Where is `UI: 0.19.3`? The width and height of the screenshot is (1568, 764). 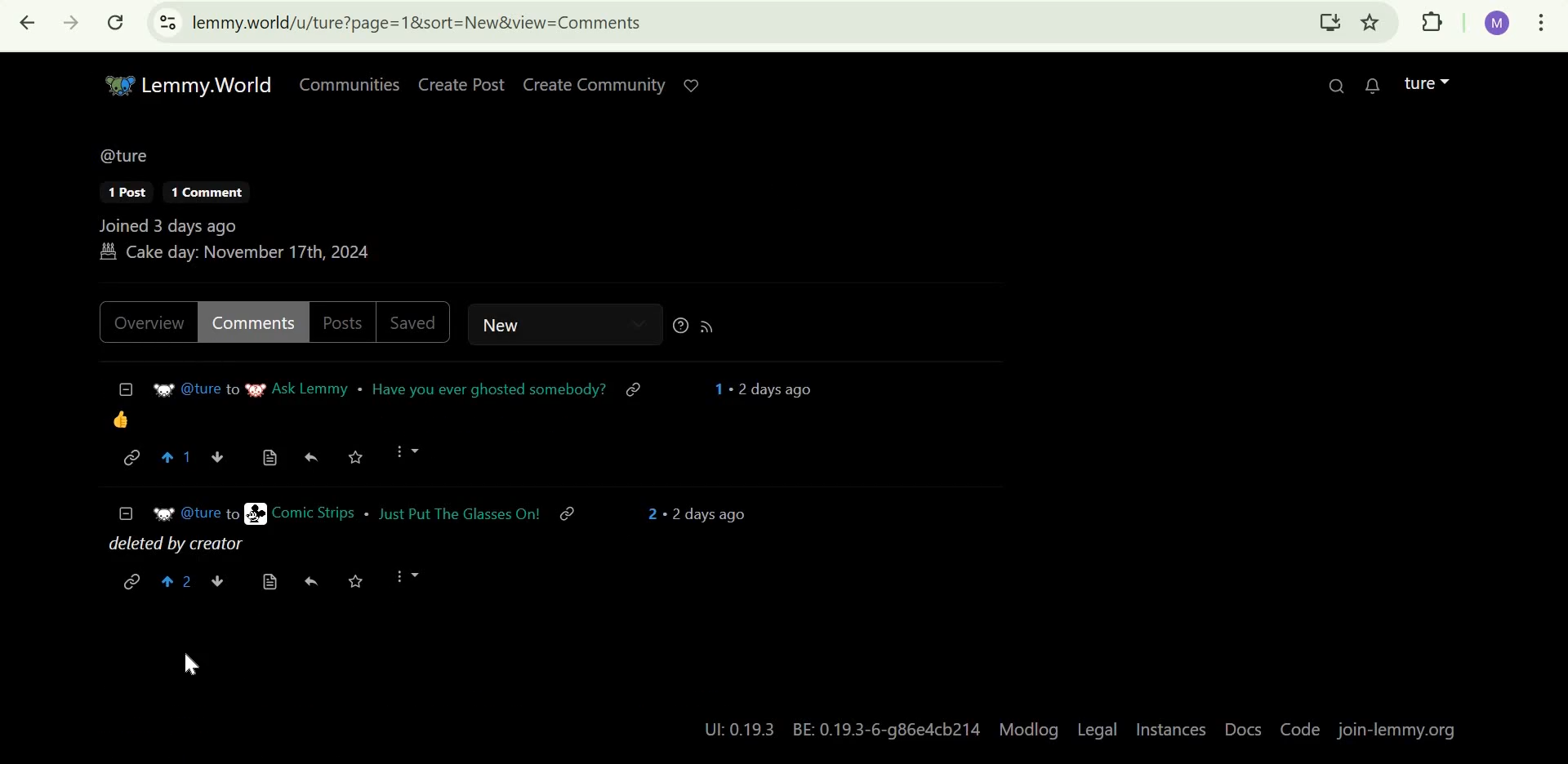
UI: 0.19.3 is located at coordinates (736, 730).